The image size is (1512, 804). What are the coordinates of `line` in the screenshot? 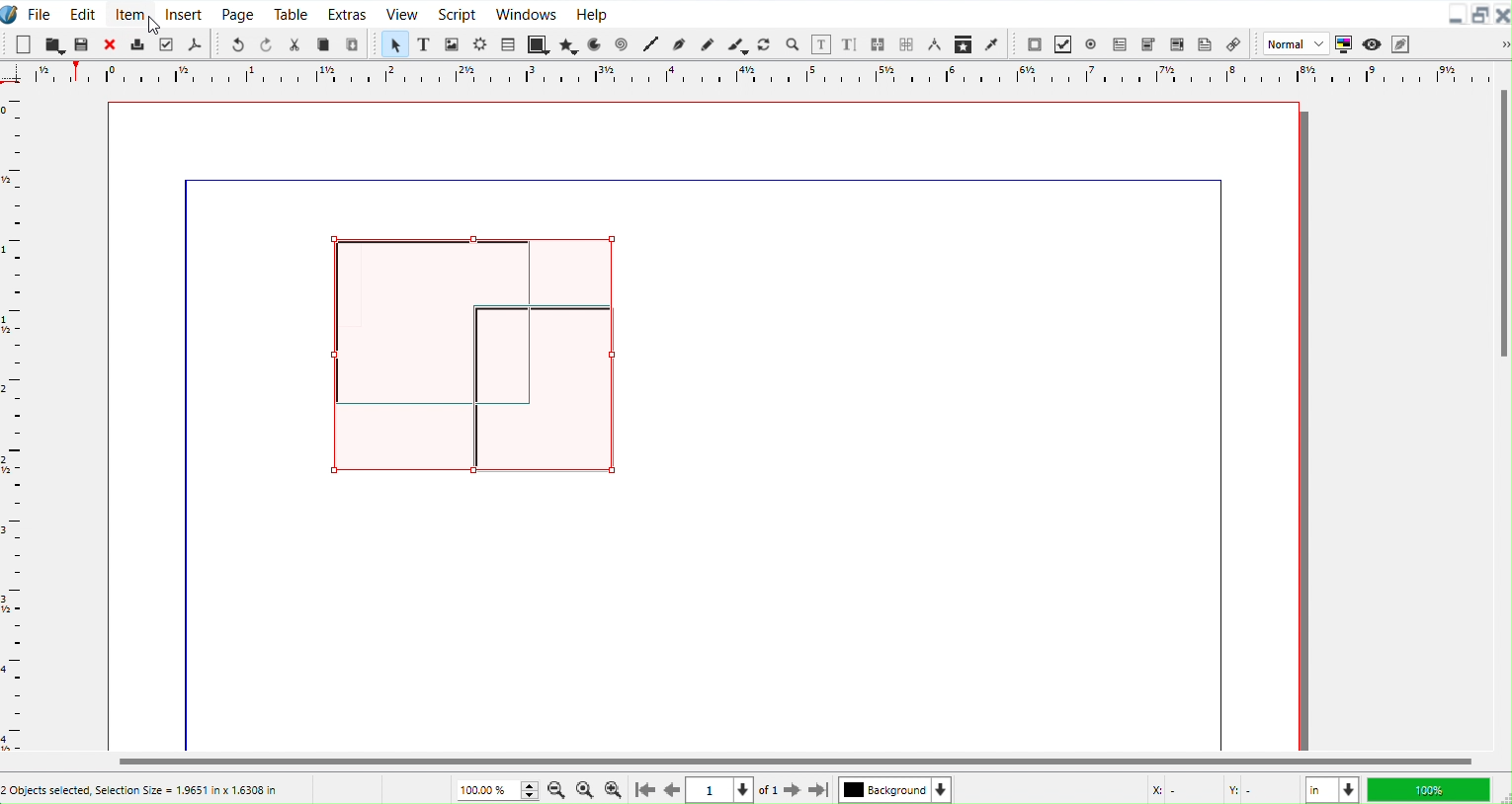 It's located at (704, 179).